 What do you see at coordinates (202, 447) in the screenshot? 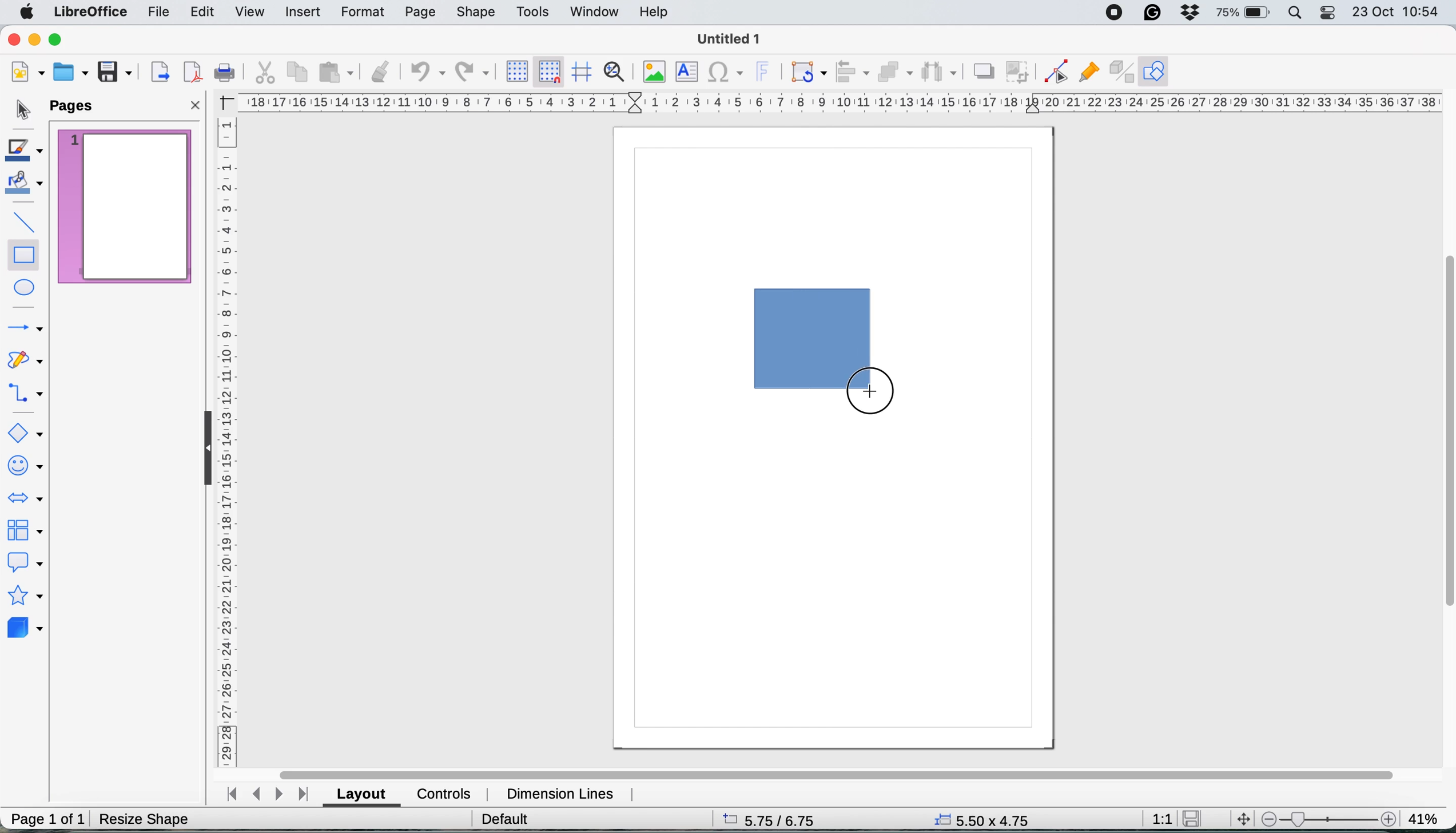
I see `collapse` at bounding box center [202, 447].